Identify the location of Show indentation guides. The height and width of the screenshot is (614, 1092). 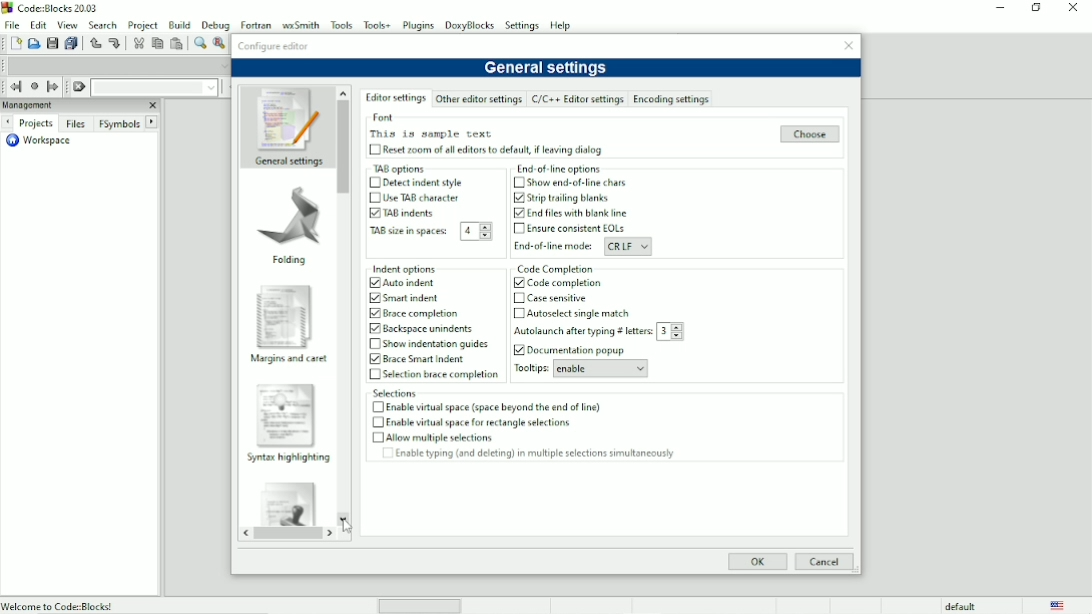
(437, 344).